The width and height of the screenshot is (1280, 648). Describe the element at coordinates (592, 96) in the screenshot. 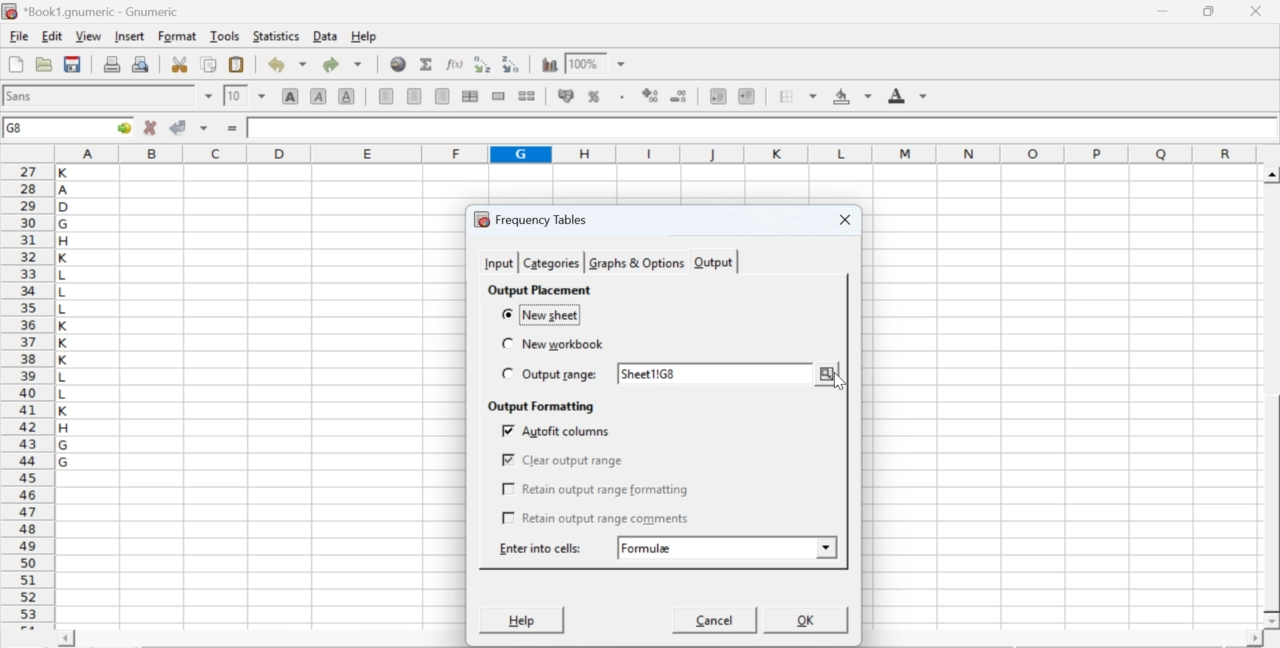

I see `format selection as percentage` at that location.